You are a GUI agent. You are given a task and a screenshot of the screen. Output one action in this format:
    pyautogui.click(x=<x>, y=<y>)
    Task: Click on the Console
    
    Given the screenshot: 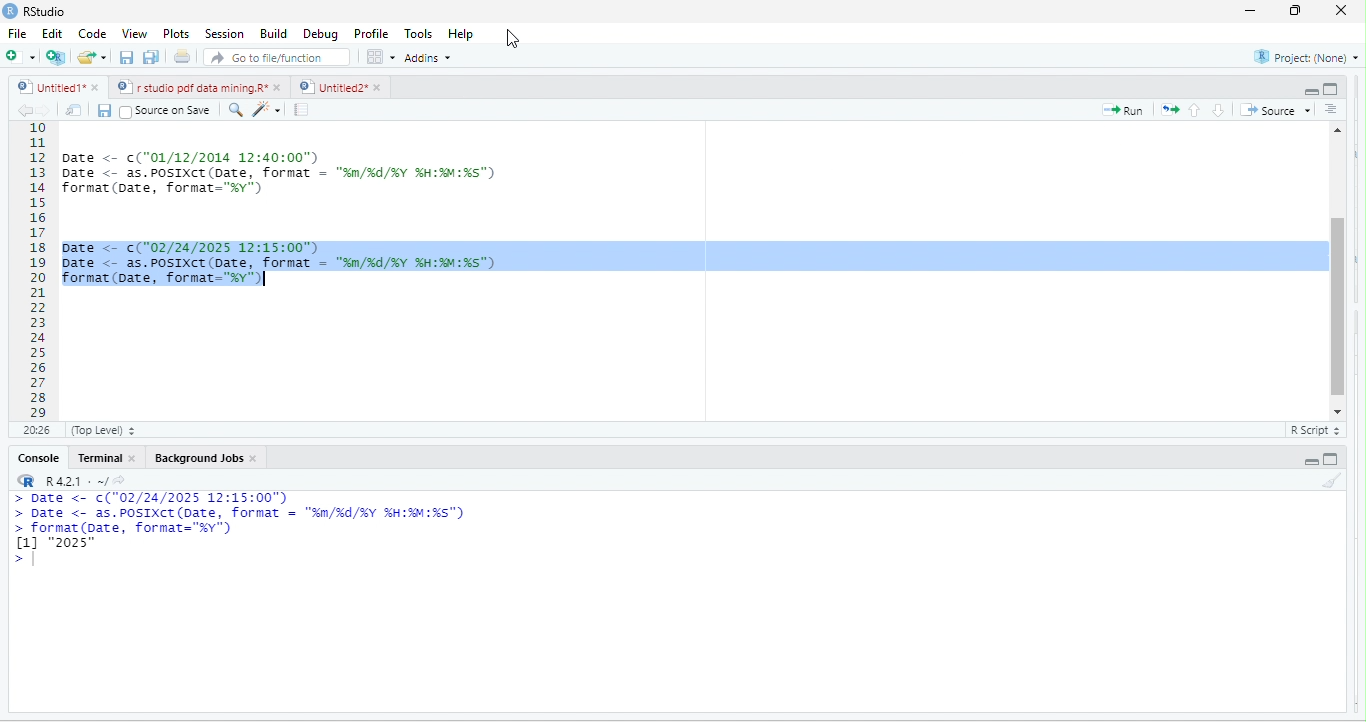 What is the action you would take?
    pyautogui.click(x=38, y=459)
    